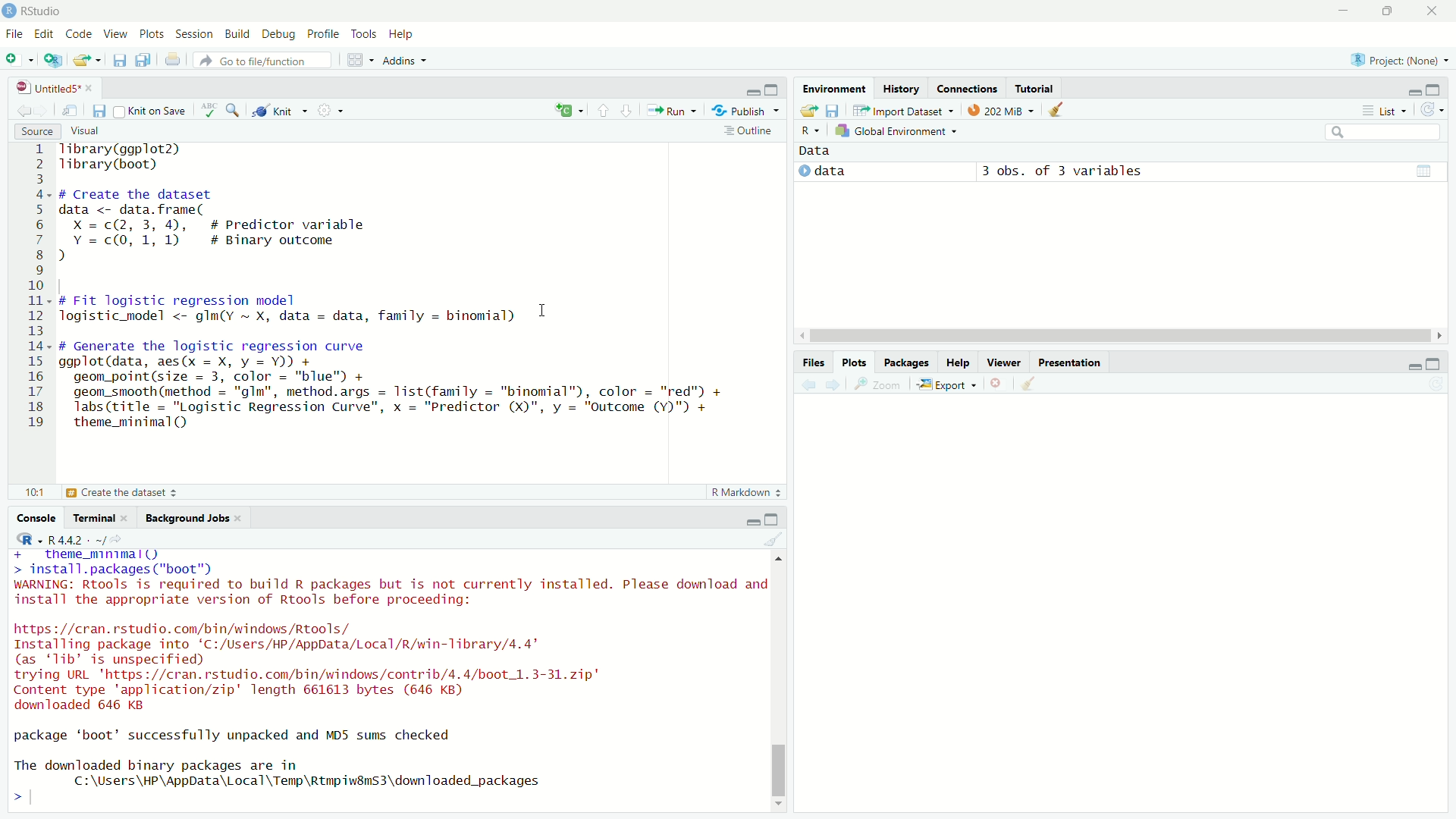  I want to click on Show in new window, so click(70, 111).